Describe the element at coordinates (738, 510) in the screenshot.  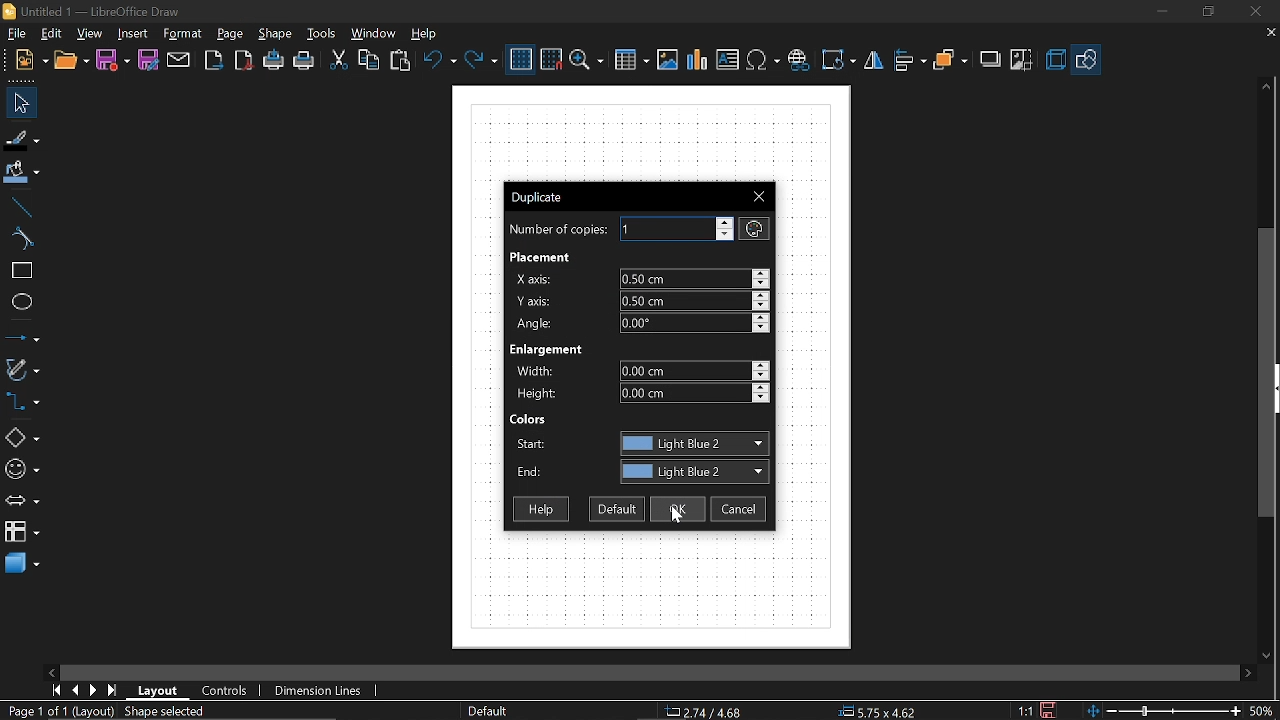
I see `cancel` at that location.